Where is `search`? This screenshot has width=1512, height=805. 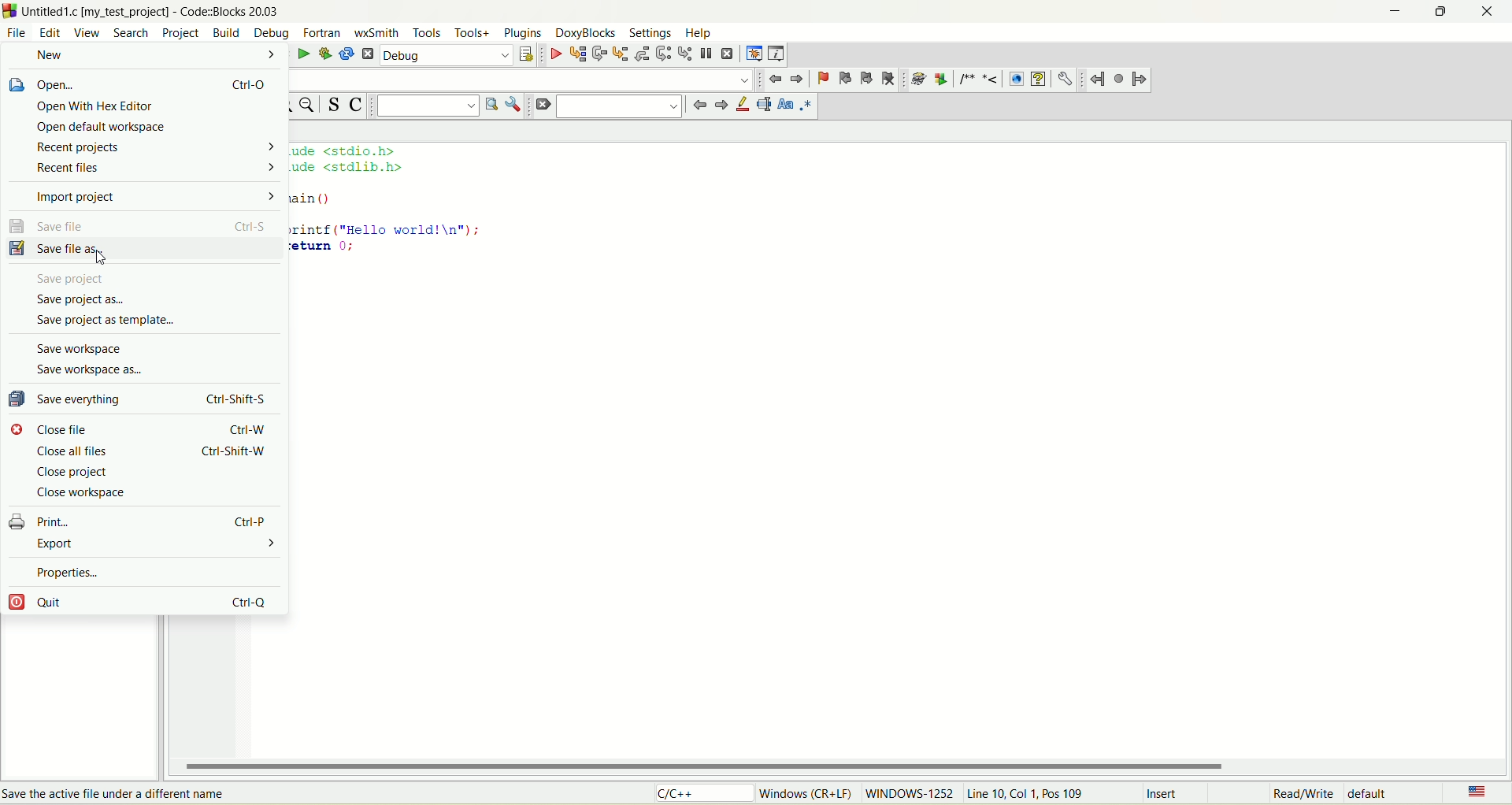 search is located at coordinates (126, 33).